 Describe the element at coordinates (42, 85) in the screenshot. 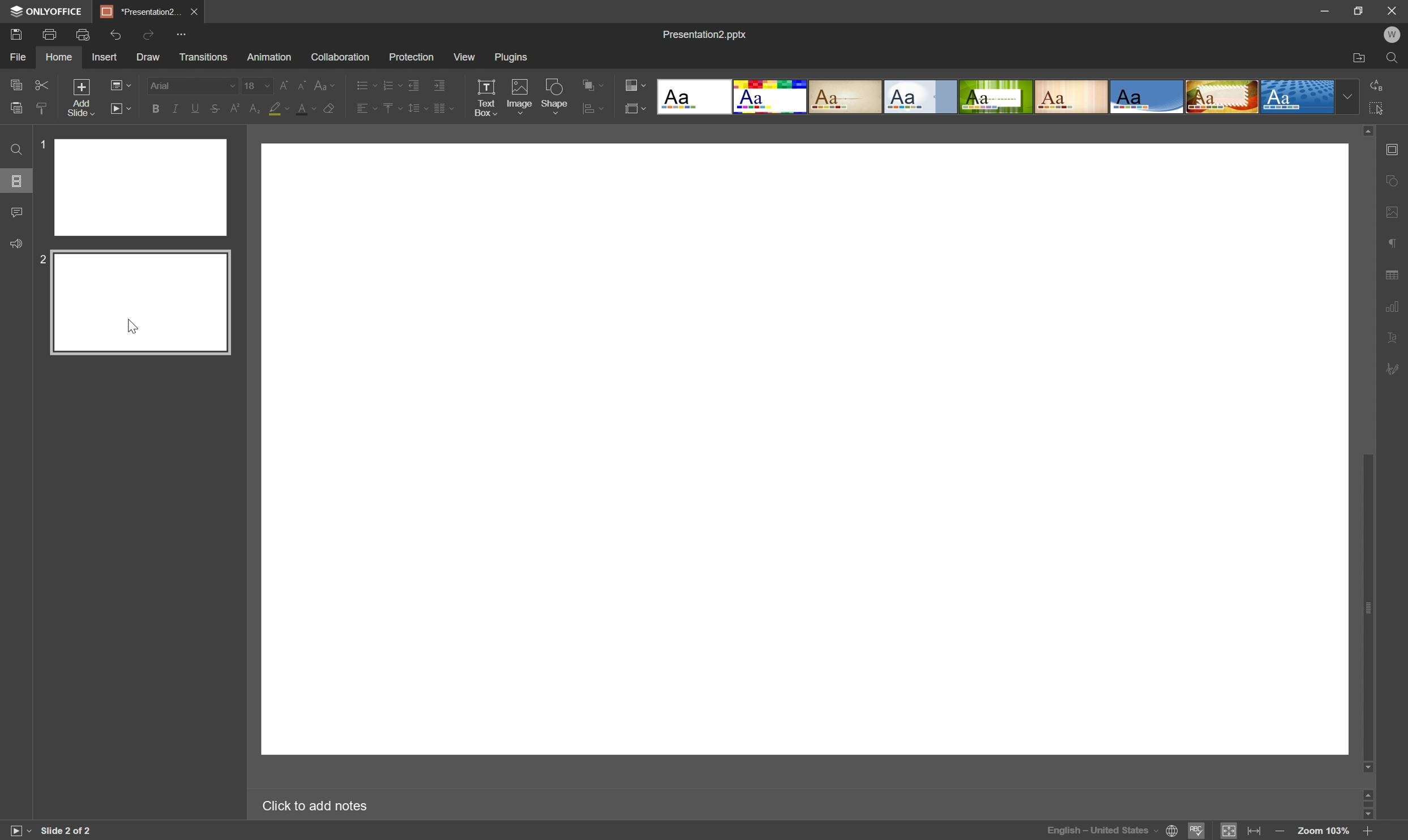

I see `Cut` at that location.